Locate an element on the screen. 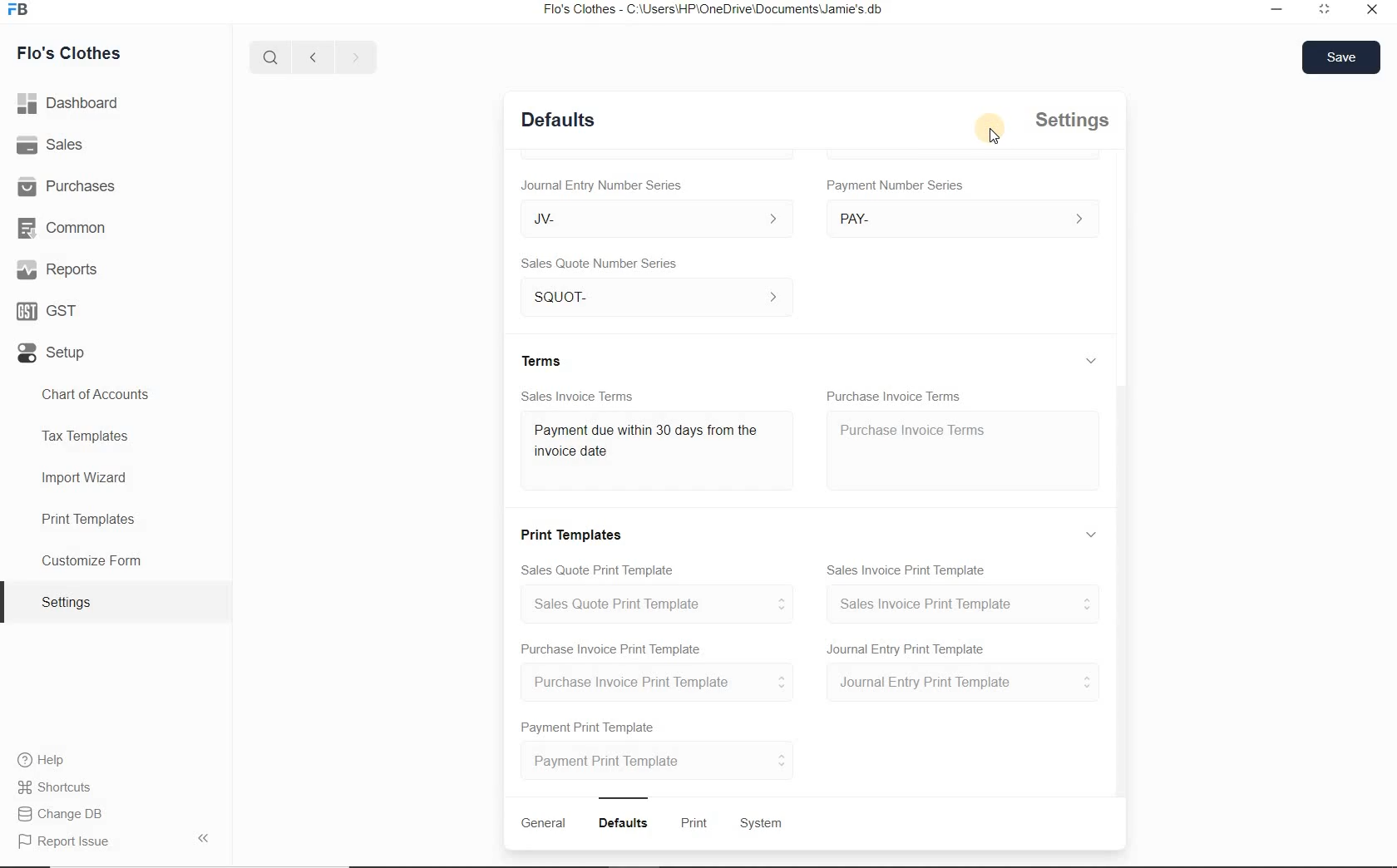 The width and height of the screenshot is (1397, 868). Payment Print Template is located at coordinates (590, 727).